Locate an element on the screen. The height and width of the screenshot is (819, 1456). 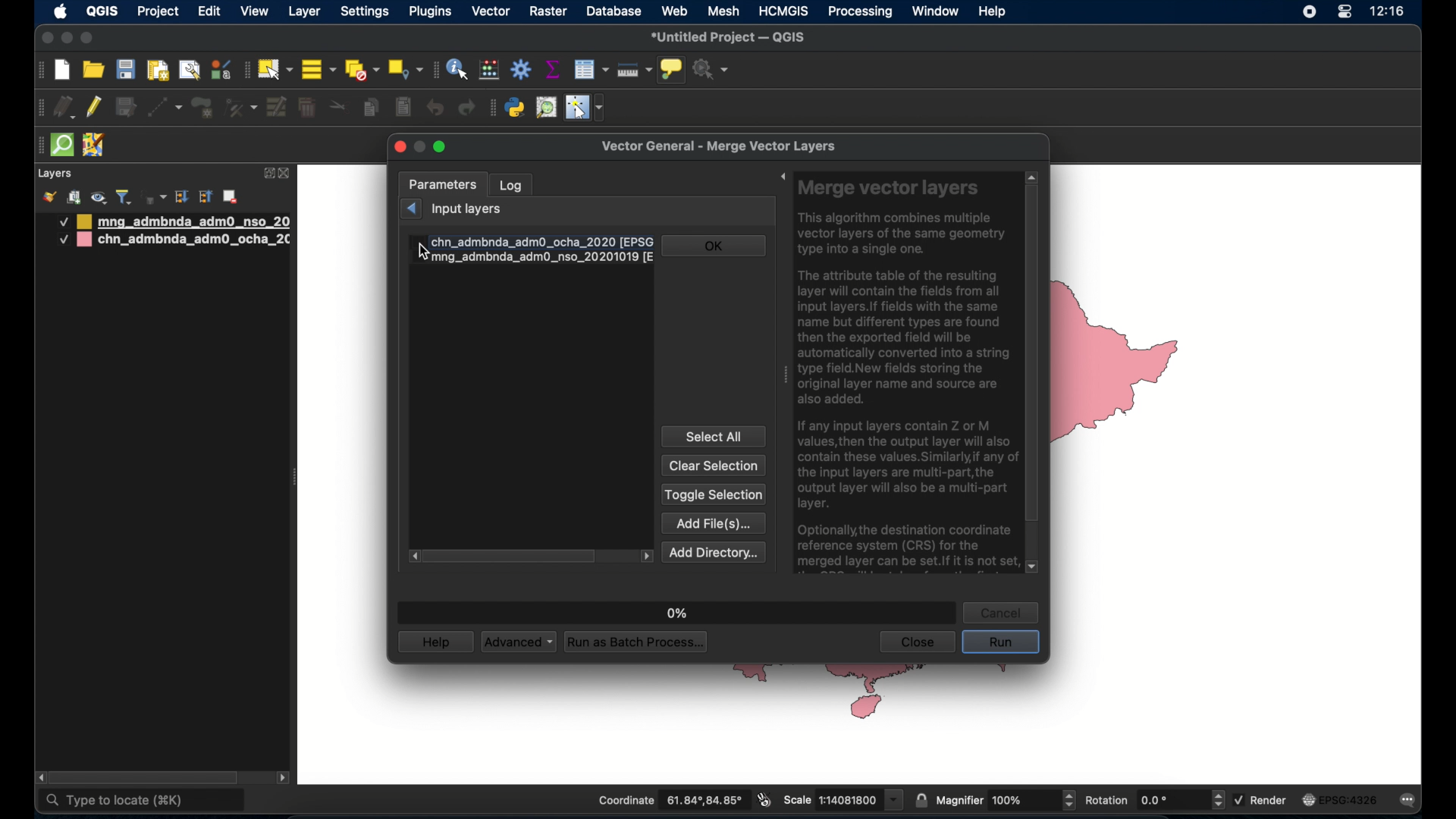
save project is located at coordinates (125, 71).